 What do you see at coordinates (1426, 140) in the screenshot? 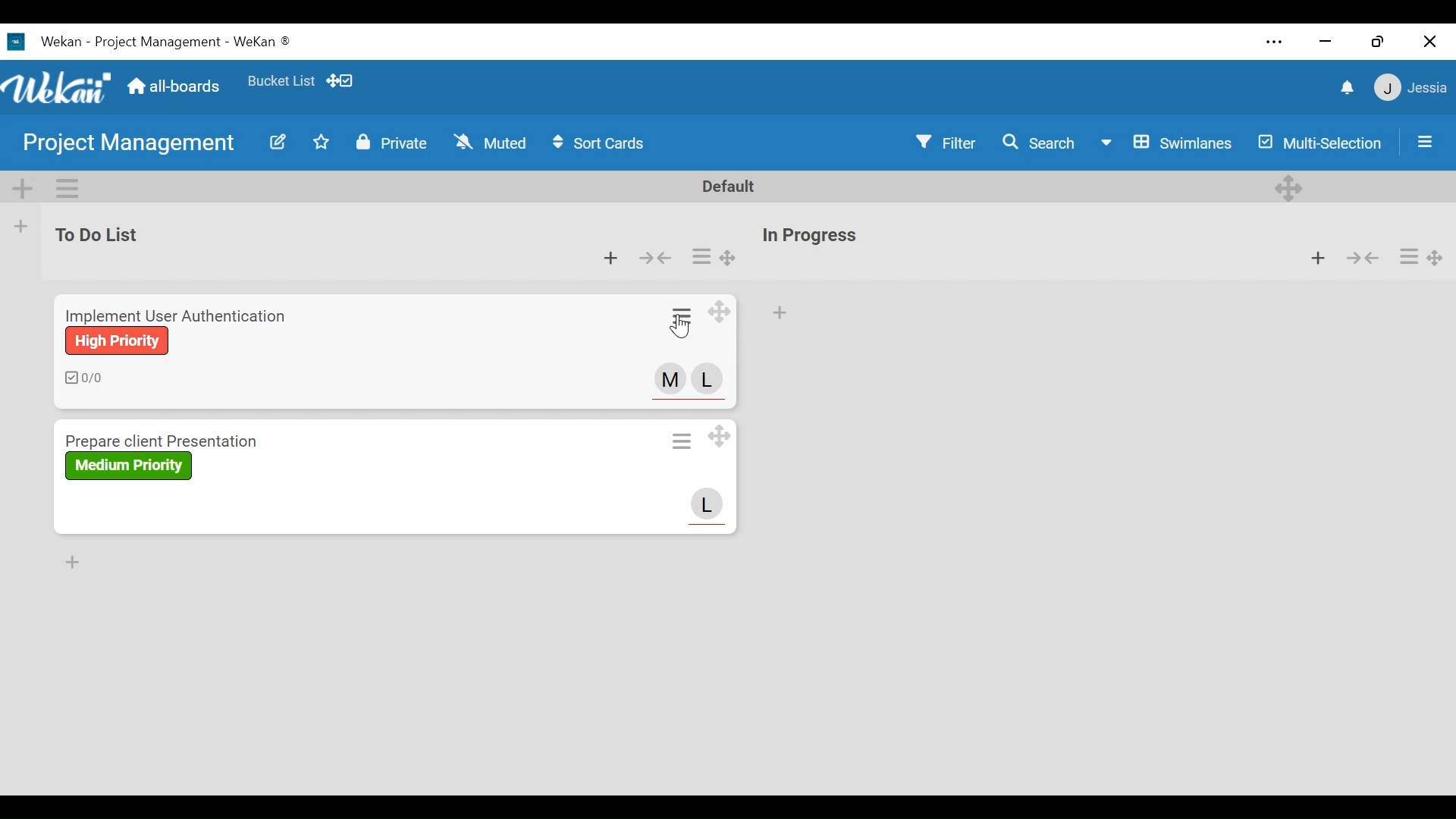
I see `Show/Hide Sidepane` at bounding box center [1426, 140].